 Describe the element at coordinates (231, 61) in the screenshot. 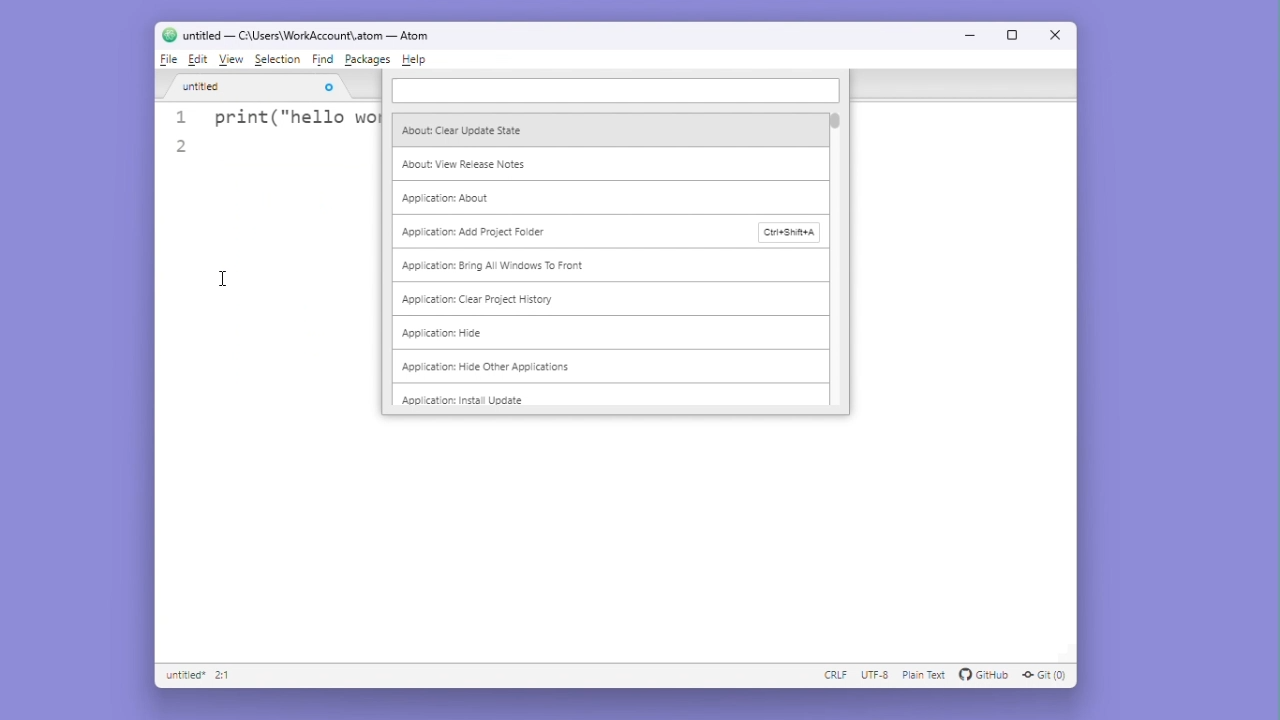

I see `view ` at that location.